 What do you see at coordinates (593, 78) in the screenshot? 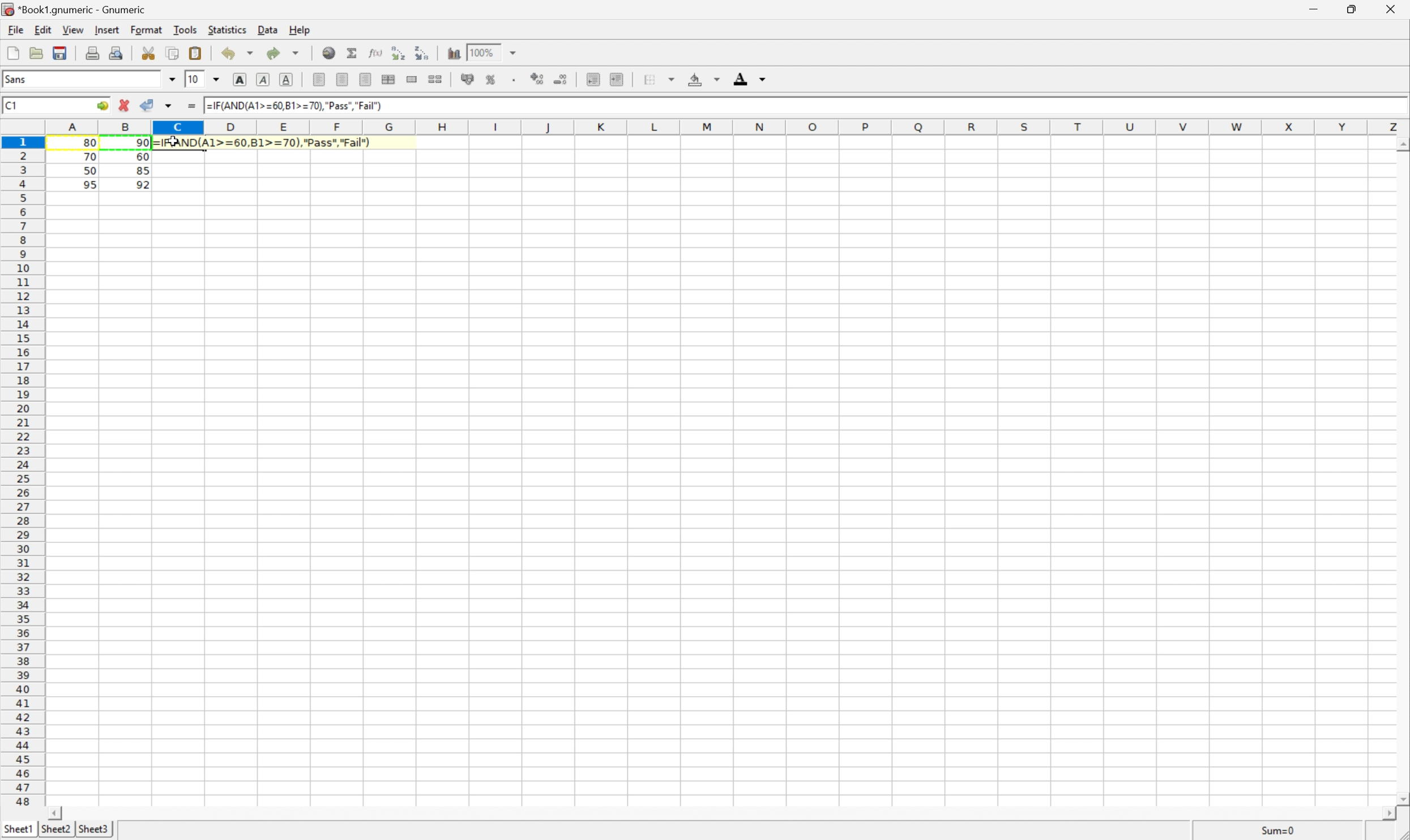
I see `Increase indent, and align the contents to the left` at bounding box center [593, 78].